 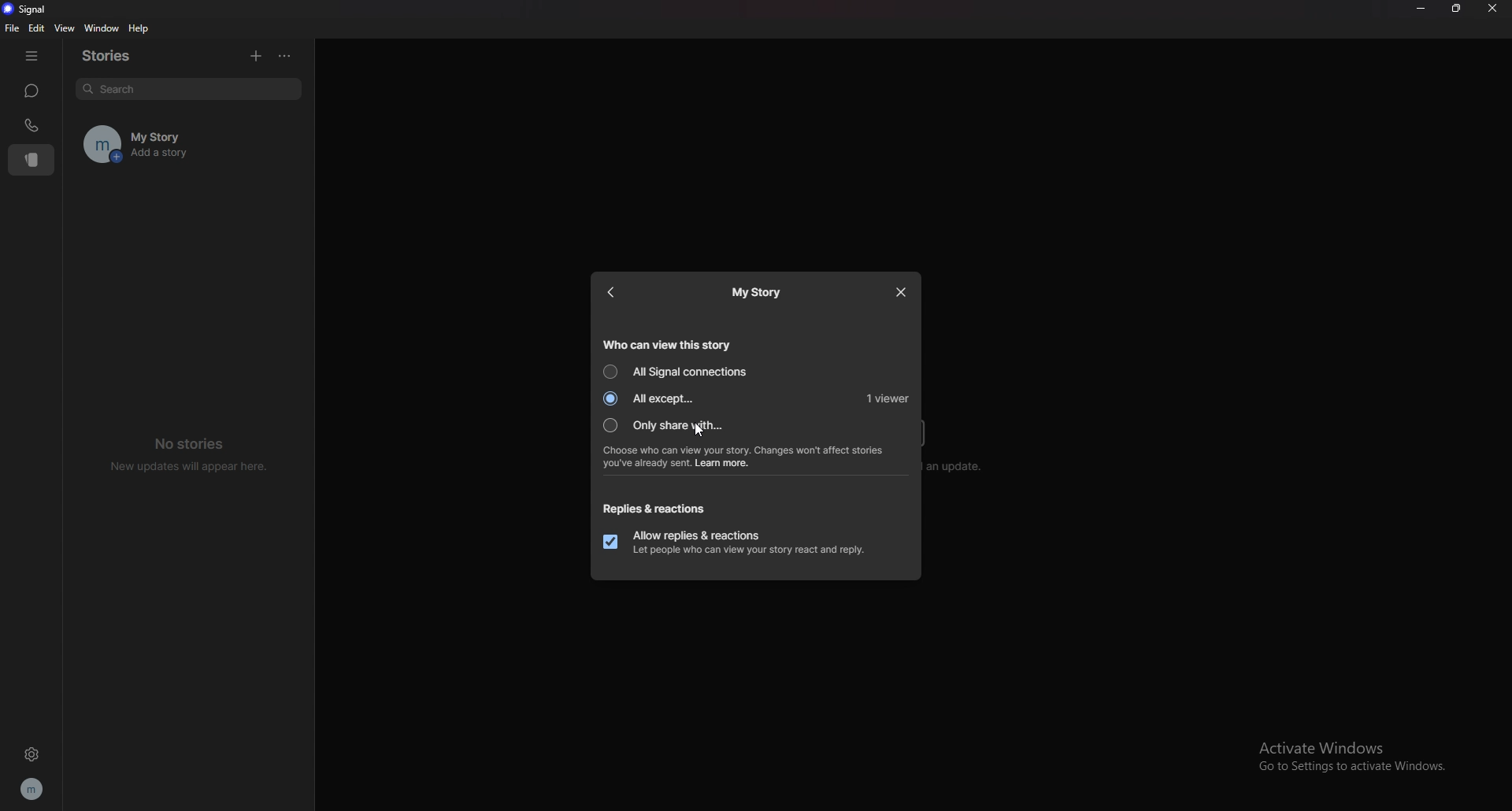 What do you see at coordinates (257, 54) in the screenshot?
I see `add story` at bounding box center [257, 54].